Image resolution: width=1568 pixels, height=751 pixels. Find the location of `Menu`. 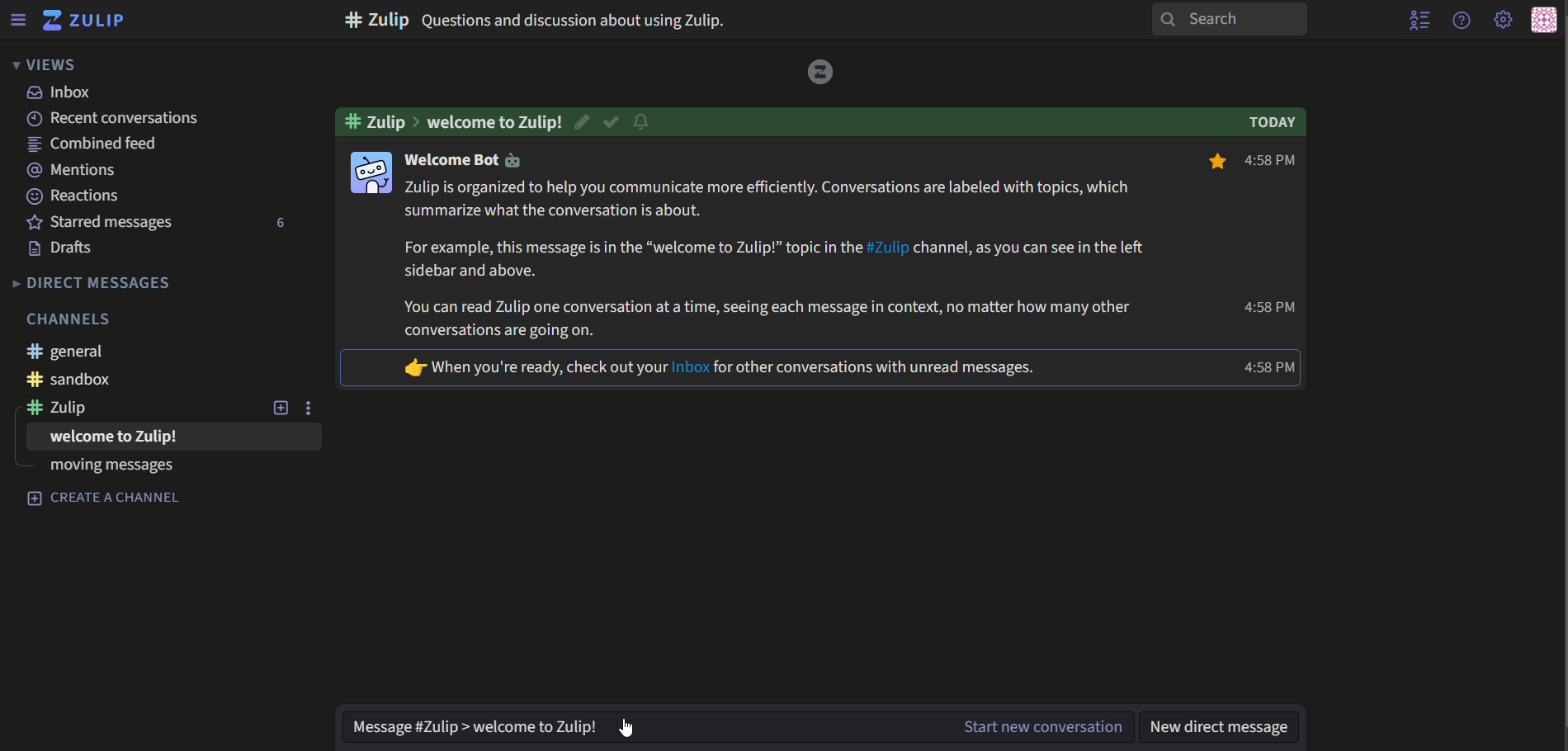

Menu is located at coordinates (17, 19).